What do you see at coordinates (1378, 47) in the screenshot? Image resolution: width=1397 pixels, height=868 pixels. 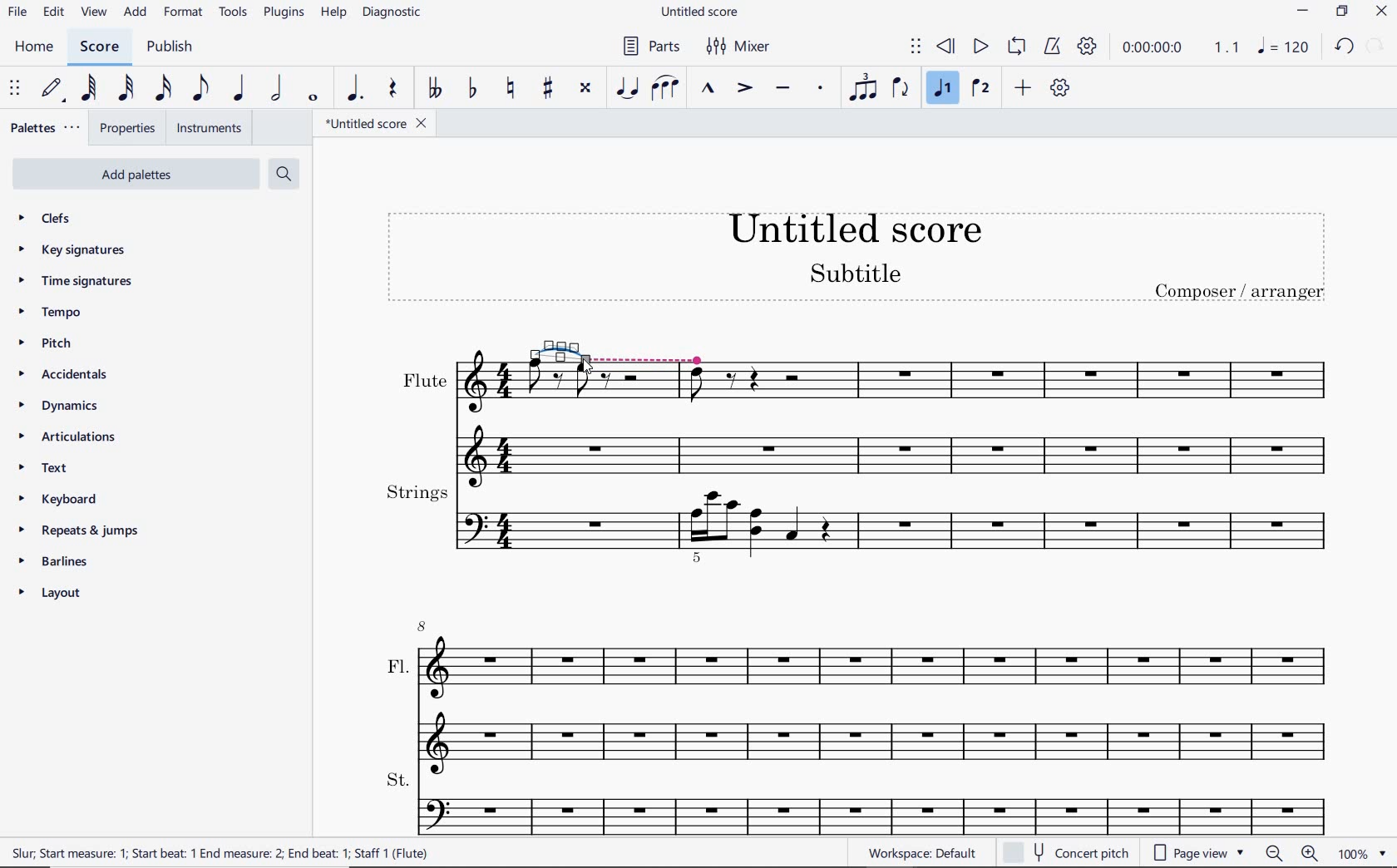 I see `redo` at bounding box center [1378, 47].